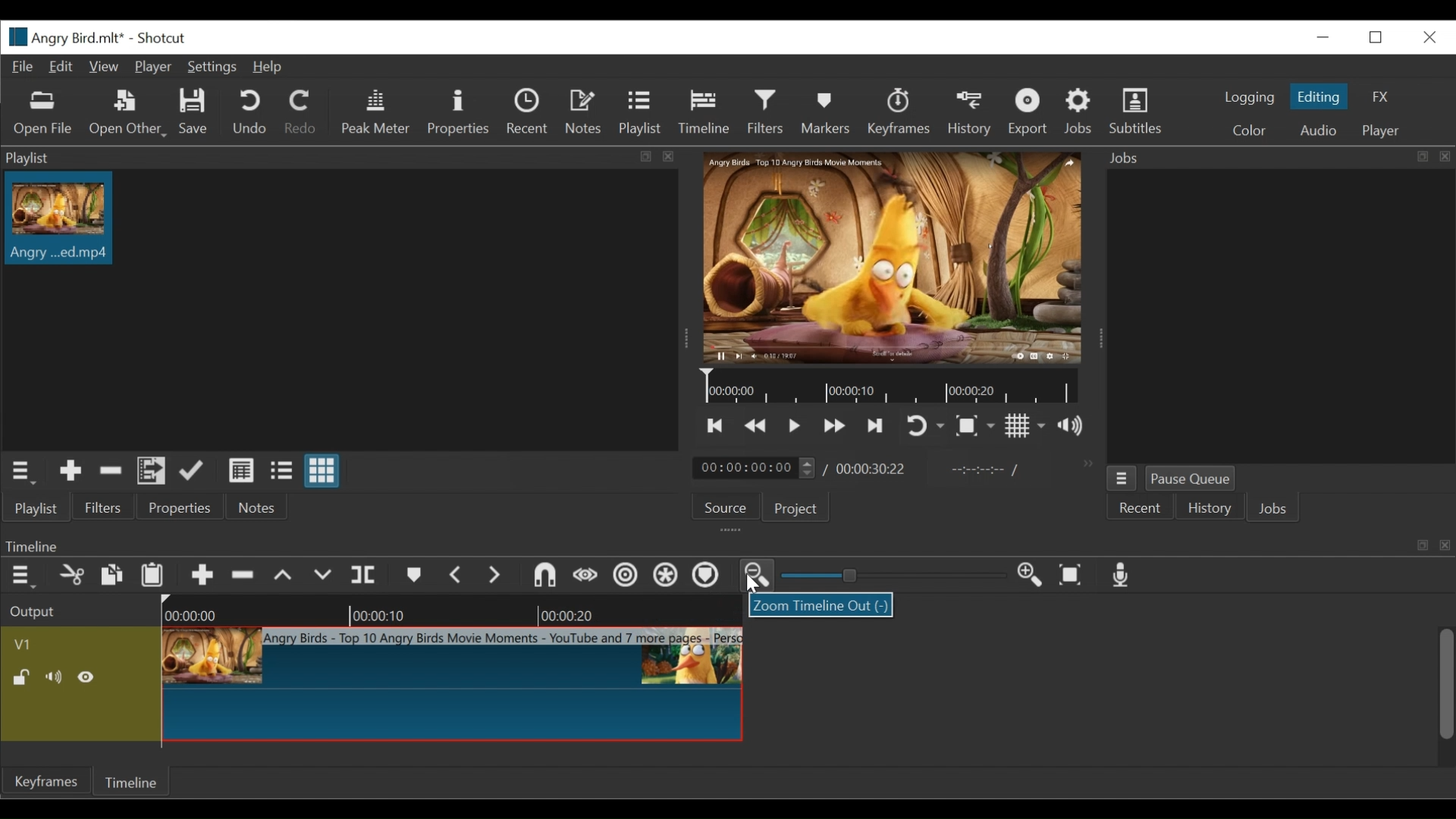 This screenshot has width=1456, height=819. I want to click on Current duration, so click(753, 468).